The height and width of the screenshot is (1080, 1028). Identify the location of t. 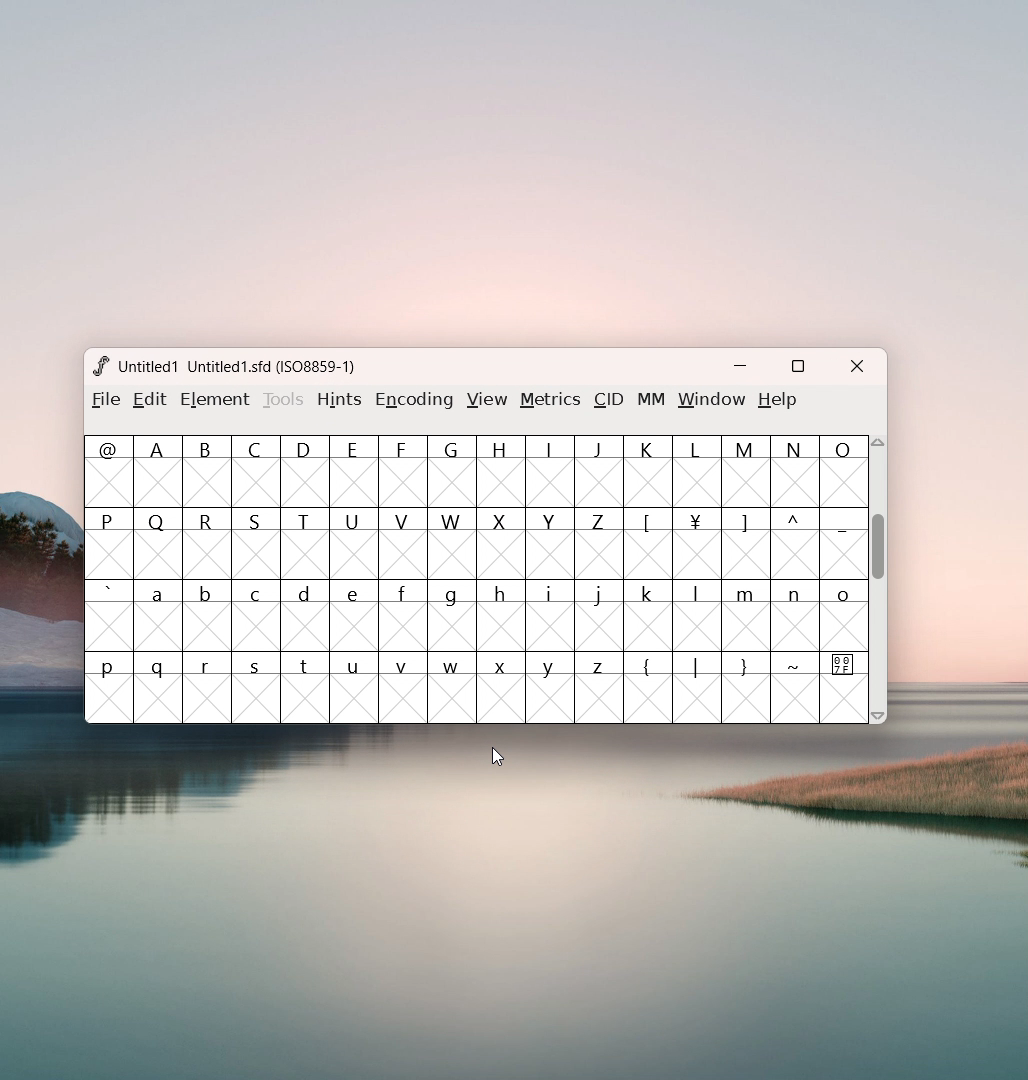
(306, 687).